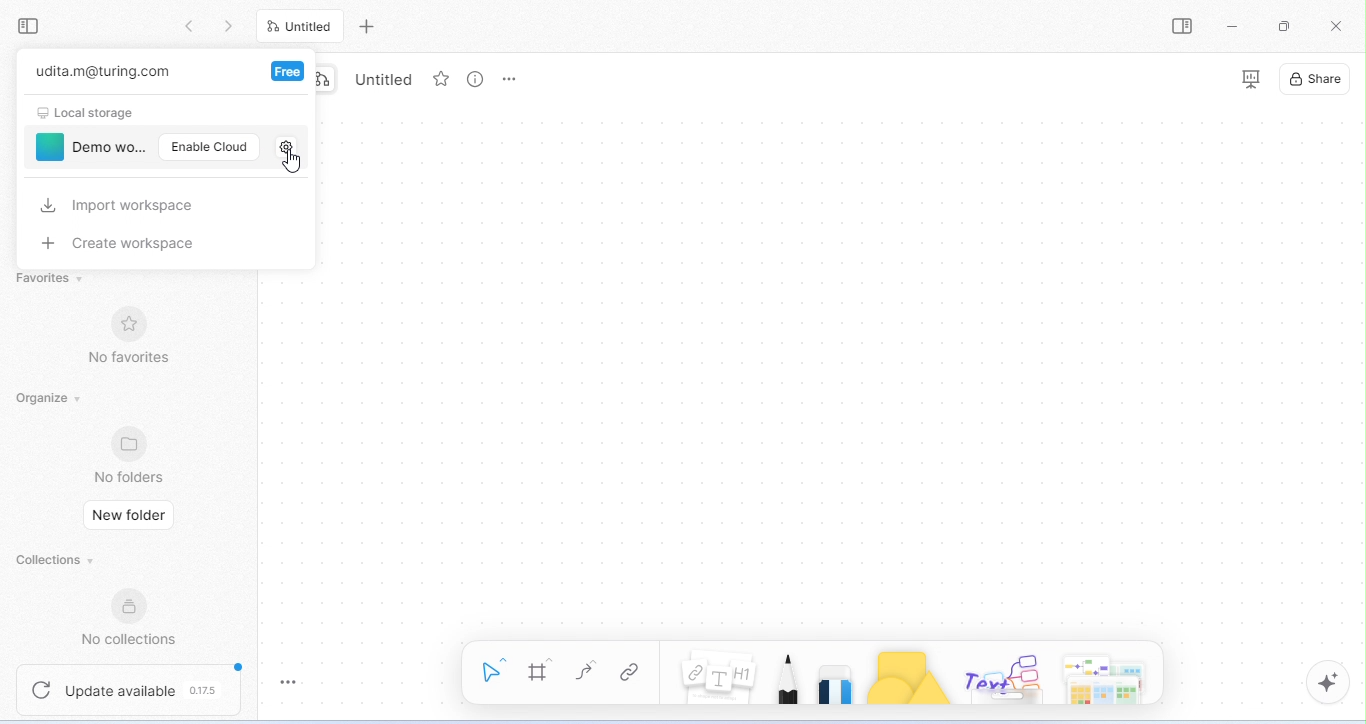  What do you see at coordinates (1233, 25) in the screenshot?
I see `minimize` at bounding box center [1233, 25].